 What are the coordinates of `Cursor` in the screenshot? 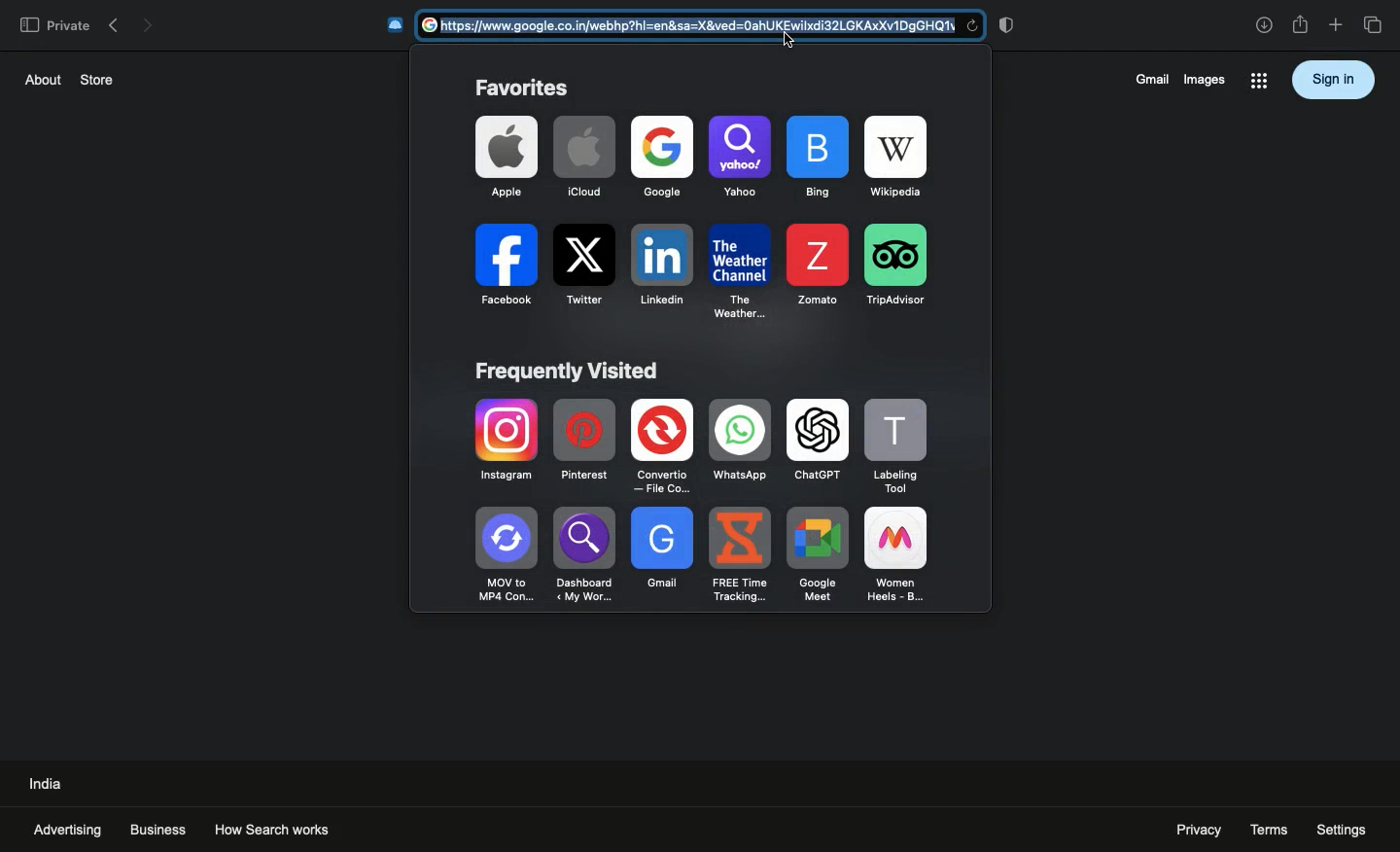 It's located at (789, 38).